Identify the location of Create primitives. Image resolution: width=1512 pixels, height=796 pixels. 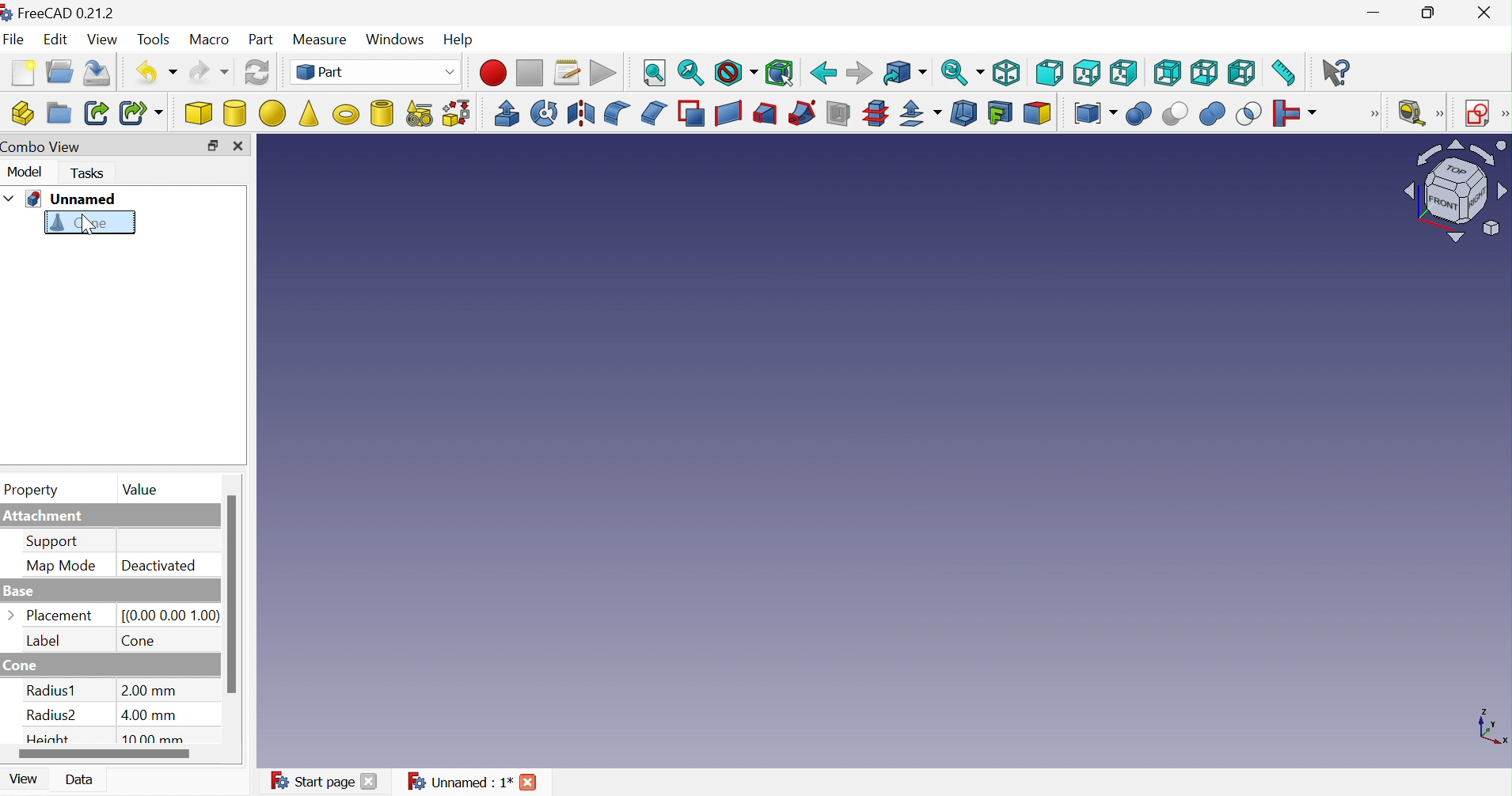
(419, 112).